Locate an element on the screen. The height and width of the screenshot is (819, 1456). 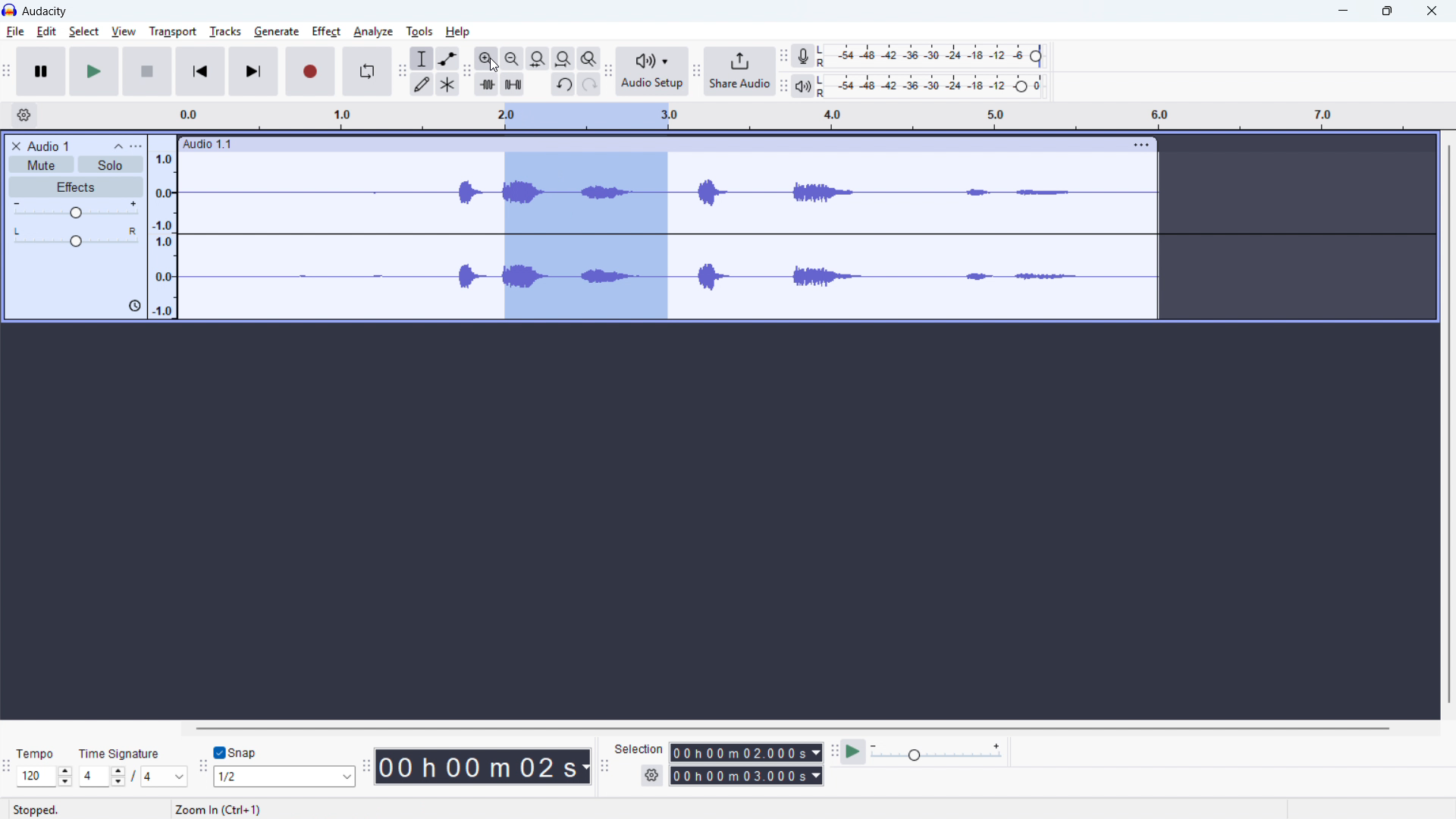
Perfect is located at coordinates (325, 30).